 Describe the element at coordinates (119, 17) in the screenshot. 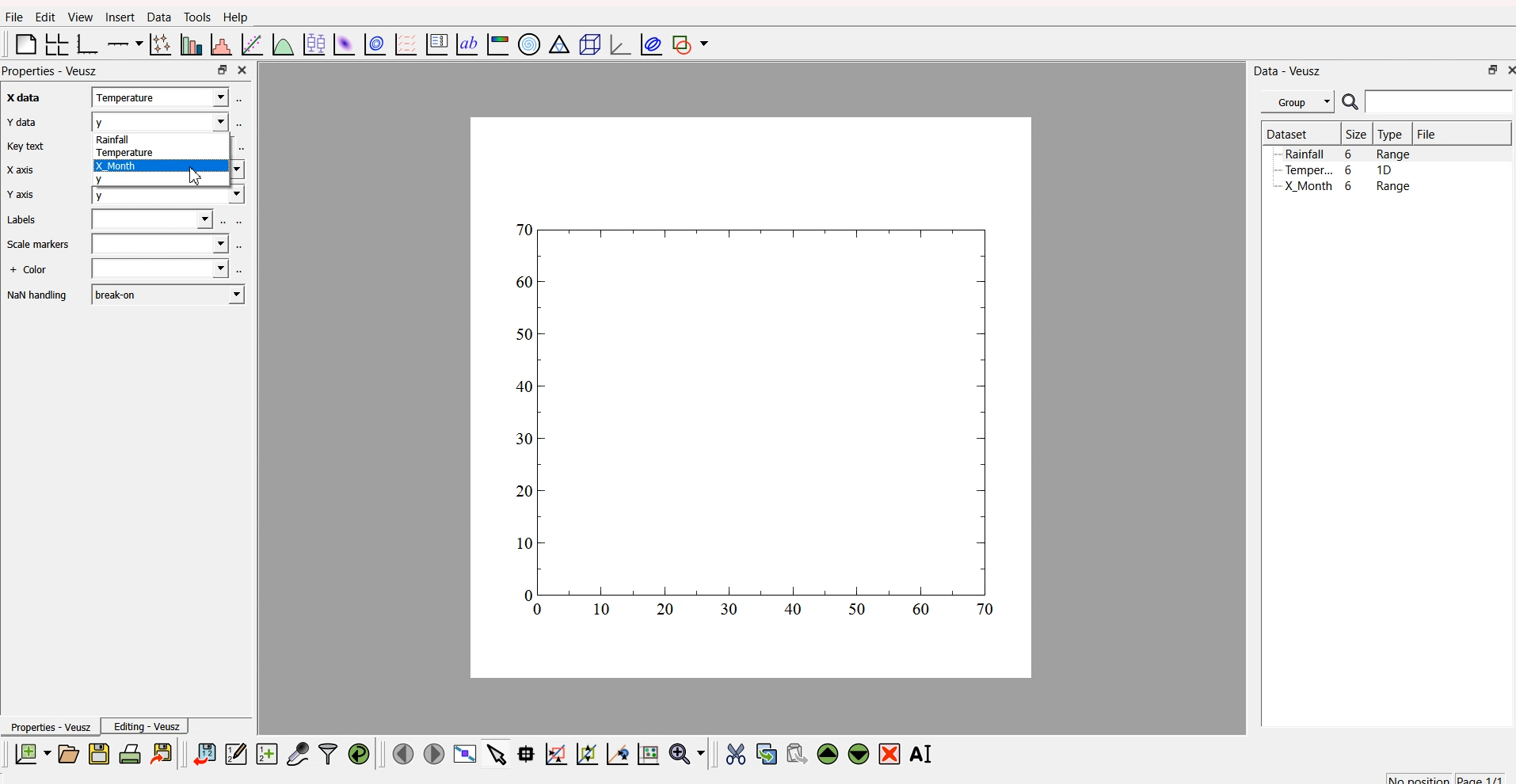

I see `Insert` at that location.